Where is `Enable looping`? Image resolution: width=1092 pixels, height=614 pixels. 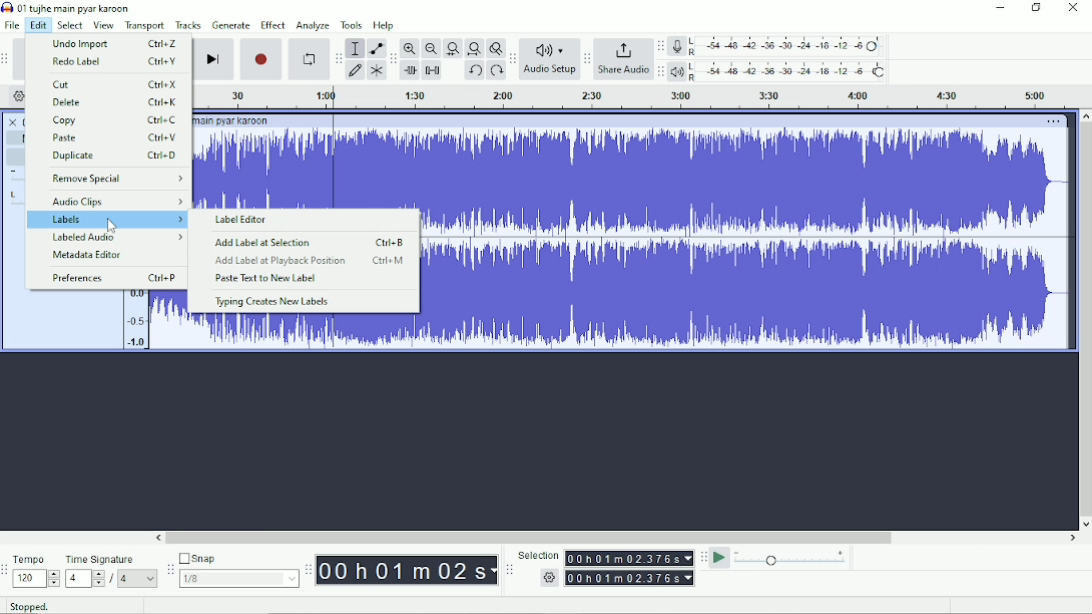 Enable looping is located at coordinates (309, 58).